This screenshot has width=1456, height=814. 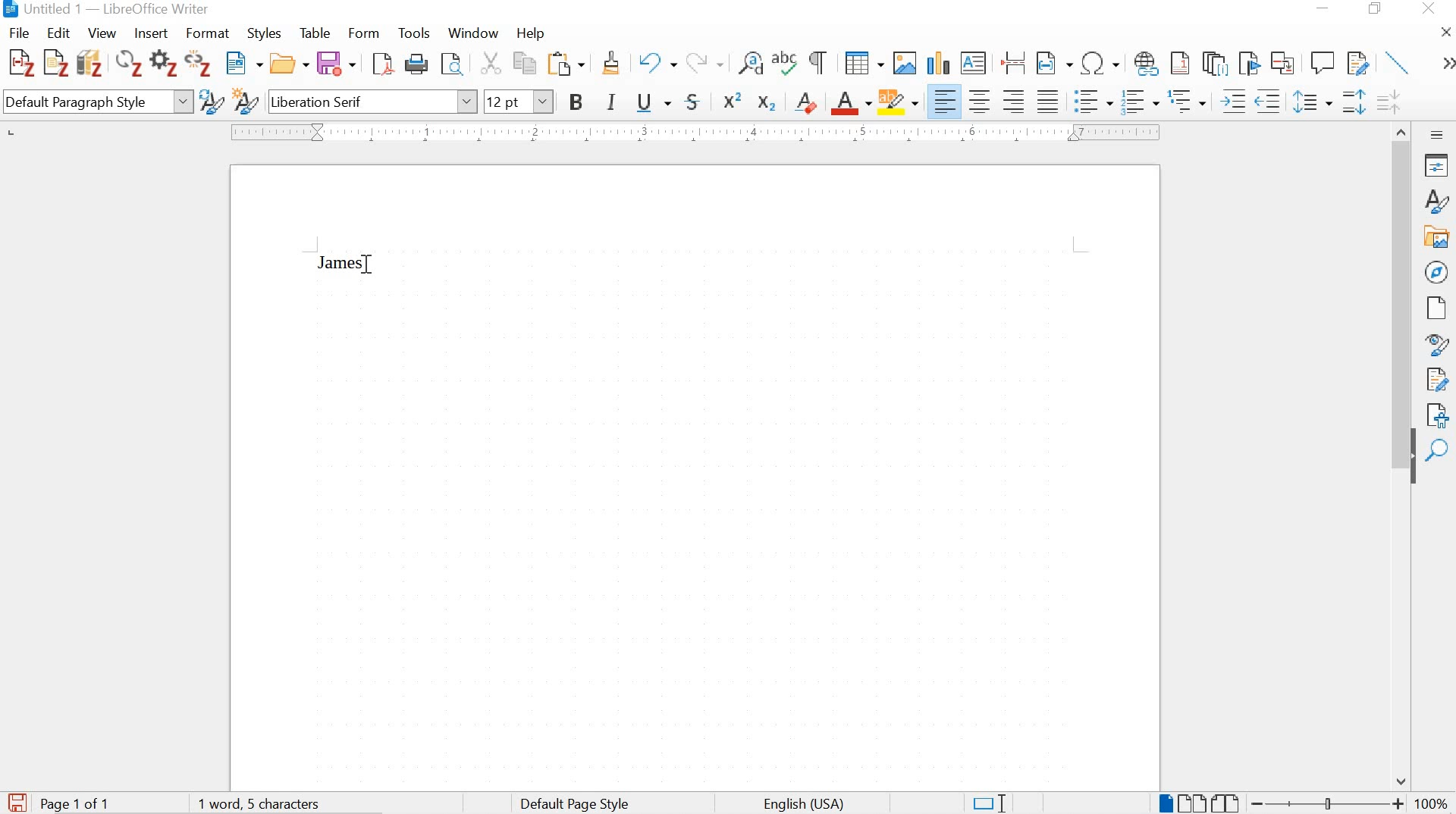 I want to click on close document, so click(x=1446, y=31).